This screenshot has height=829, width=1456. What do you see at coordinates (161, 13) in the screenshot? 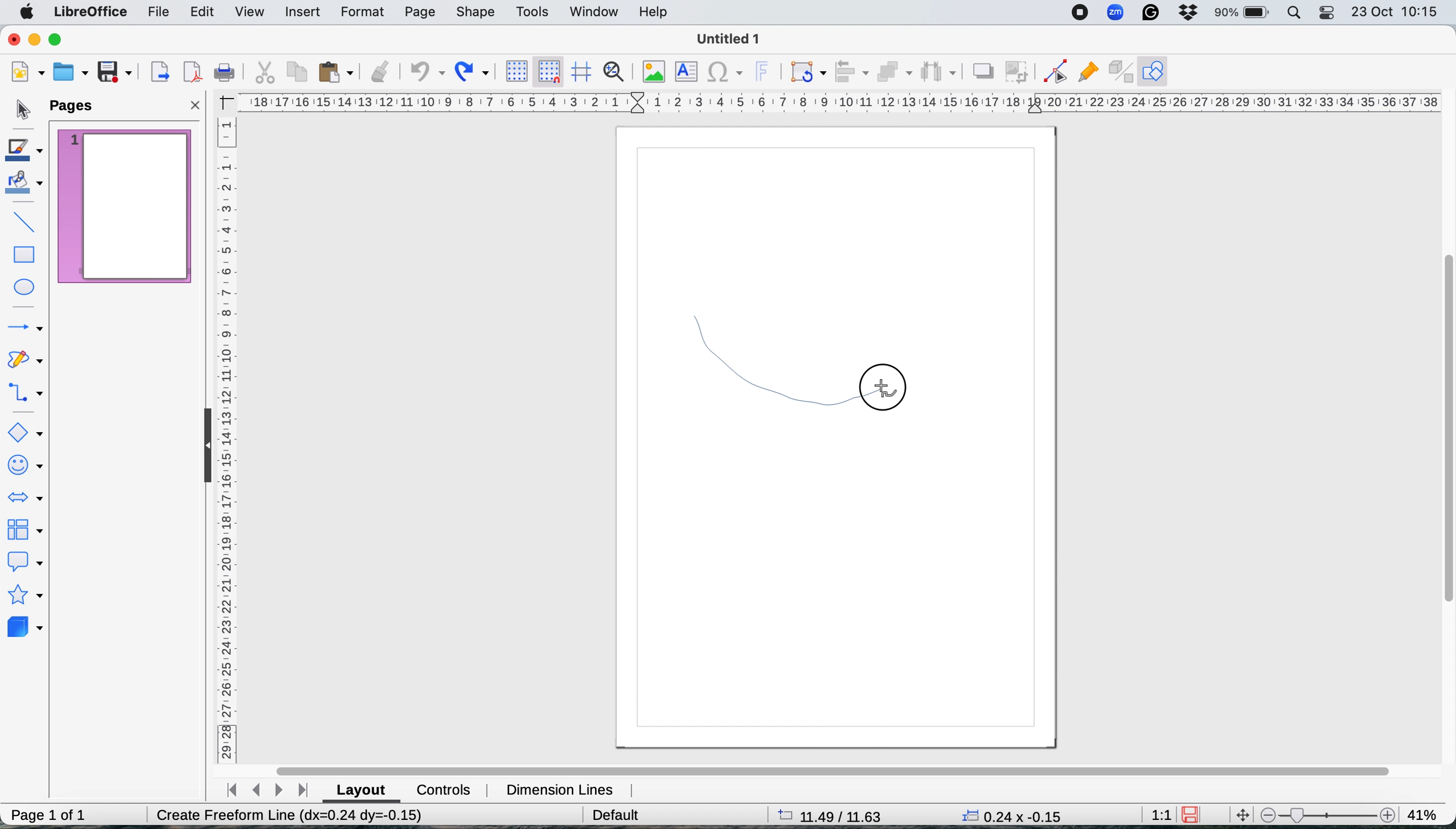
I see `file` at bounding box center [161, 13].